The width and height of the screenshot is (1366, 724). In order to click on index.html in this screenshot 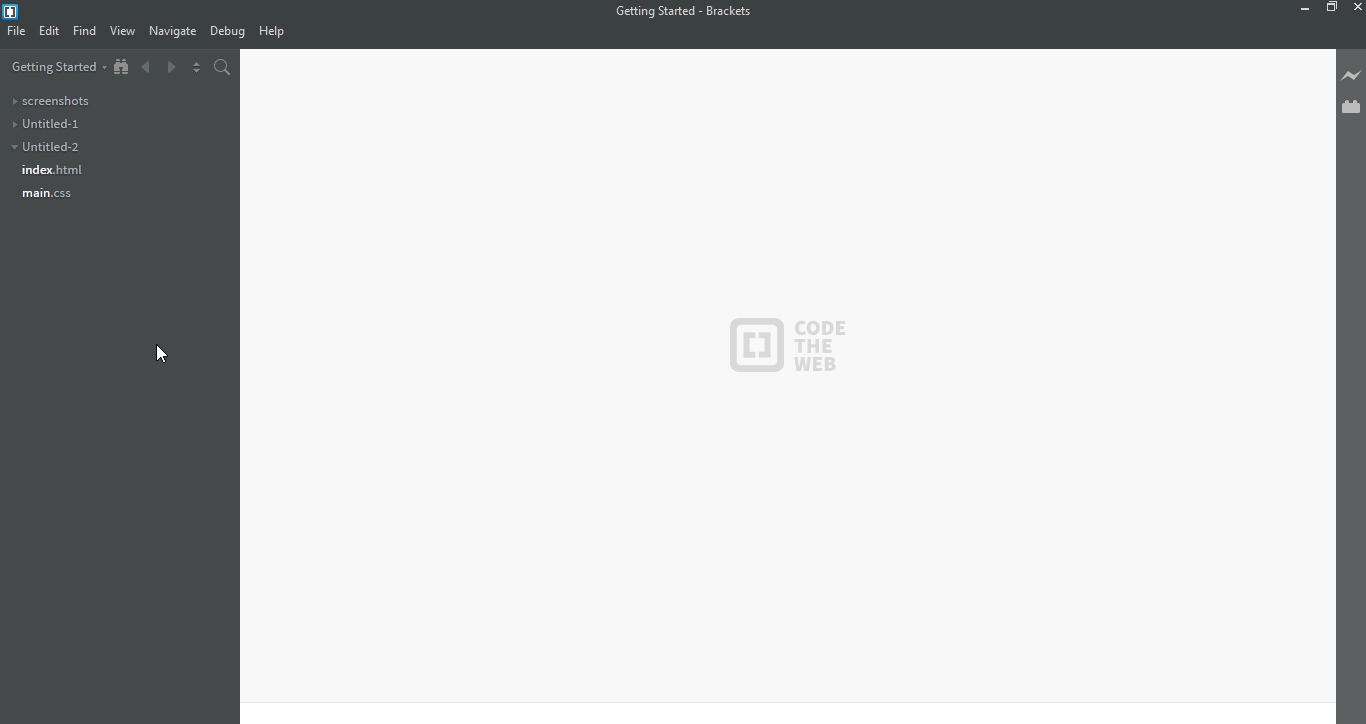, I will do `click(57, 171)`.